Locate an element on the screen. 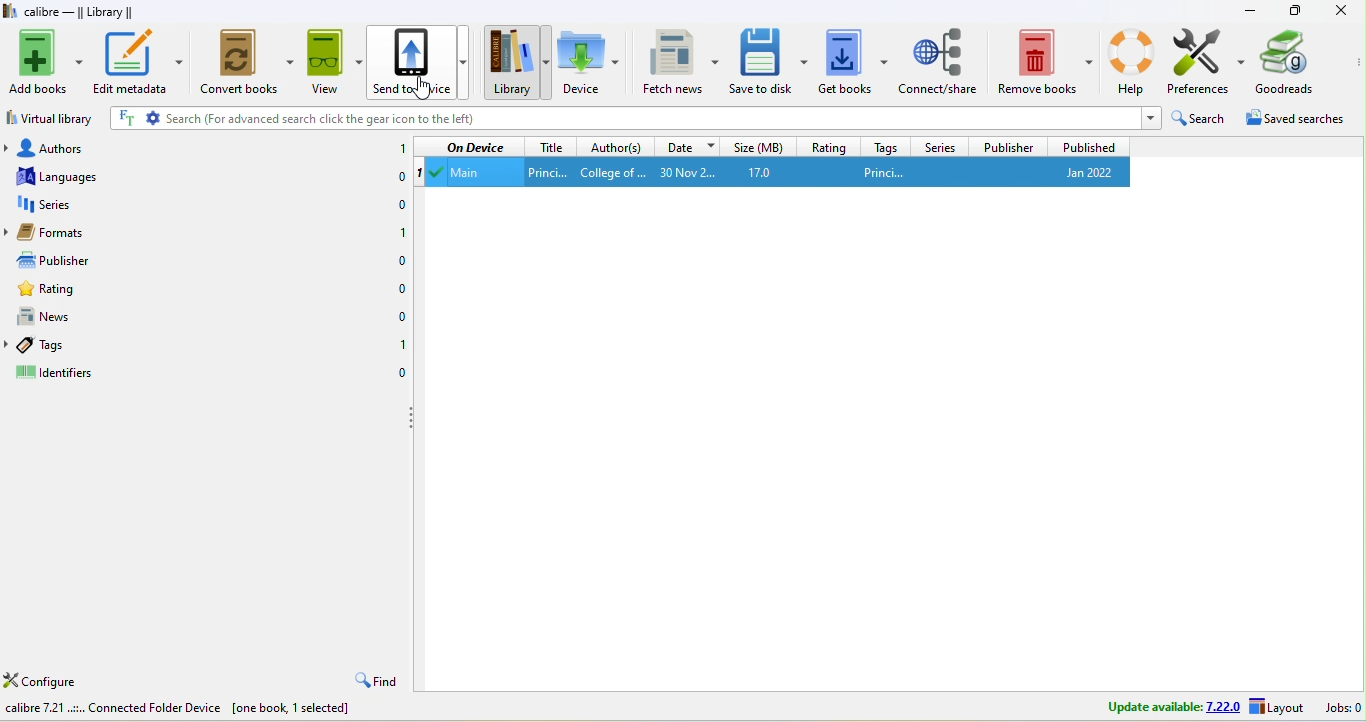 This screenshot has width=1366, height=722. 1 is located at coordinates (394, 149).